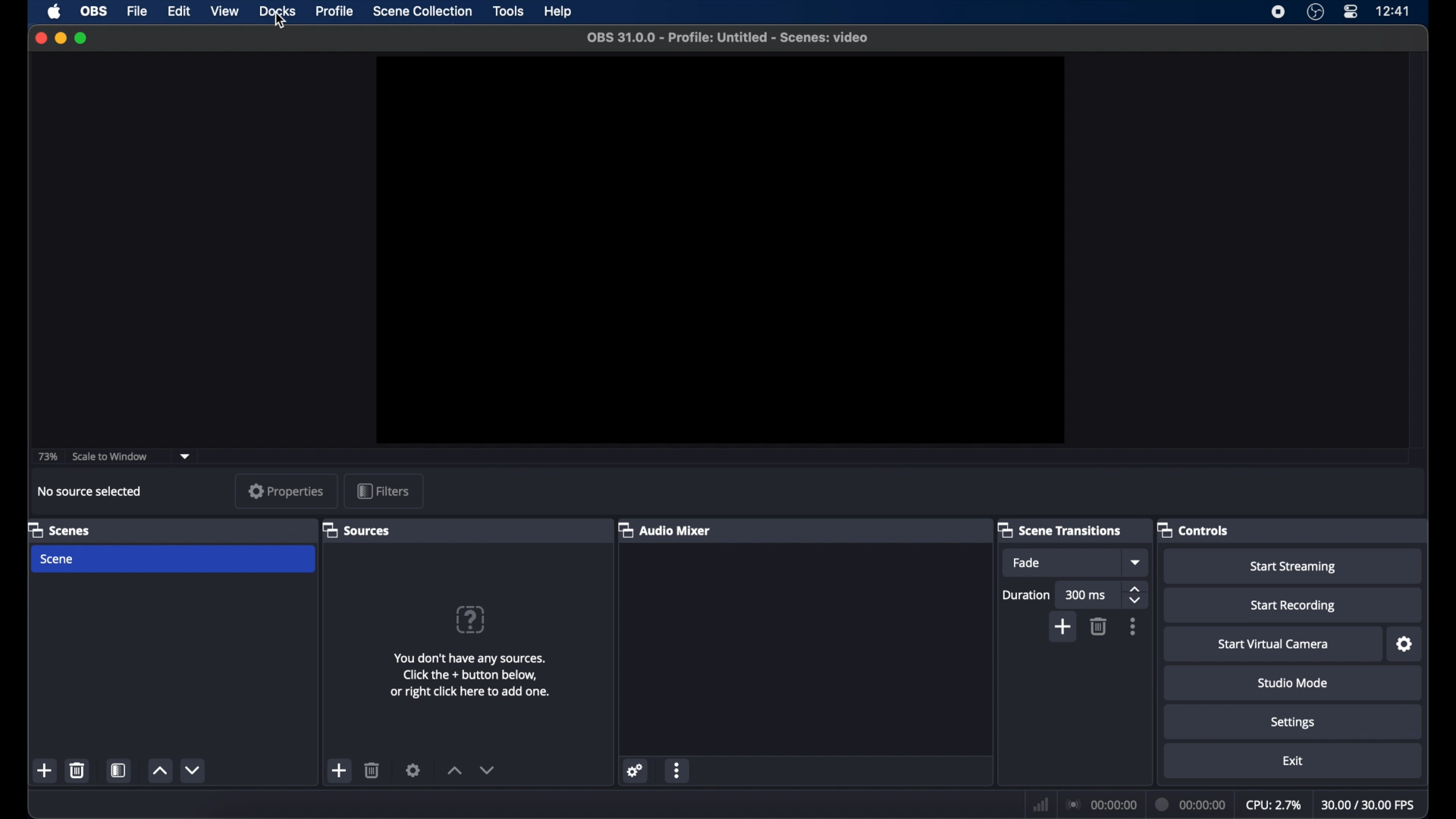  What do you see at coordinates (666, 529) in the screenshot?
I see `audio mixer` at bounding box center [666, 529].